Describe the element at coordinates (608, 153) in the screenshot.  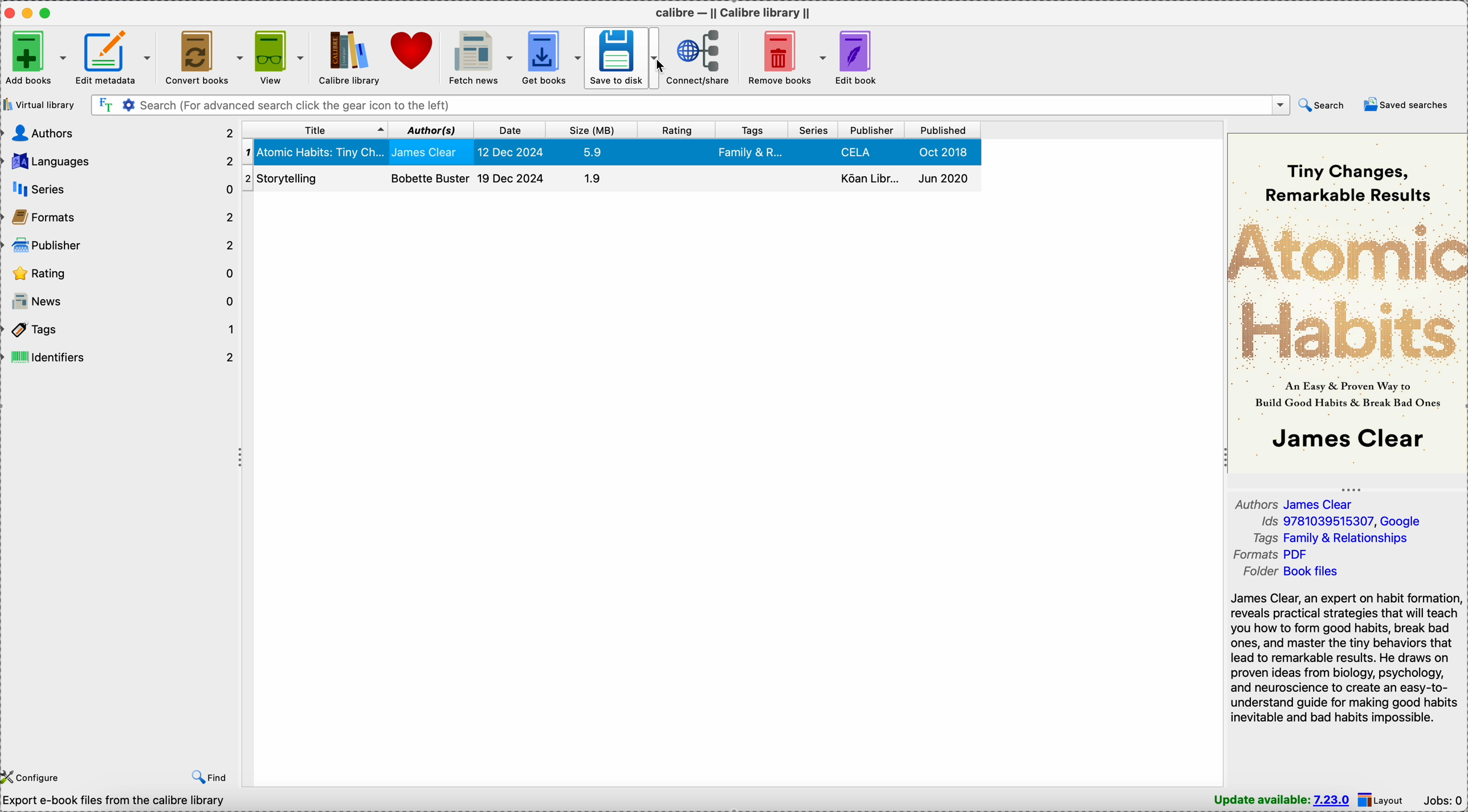
I see `Atomic Habits: Tiny Changes book details selected` at that location.